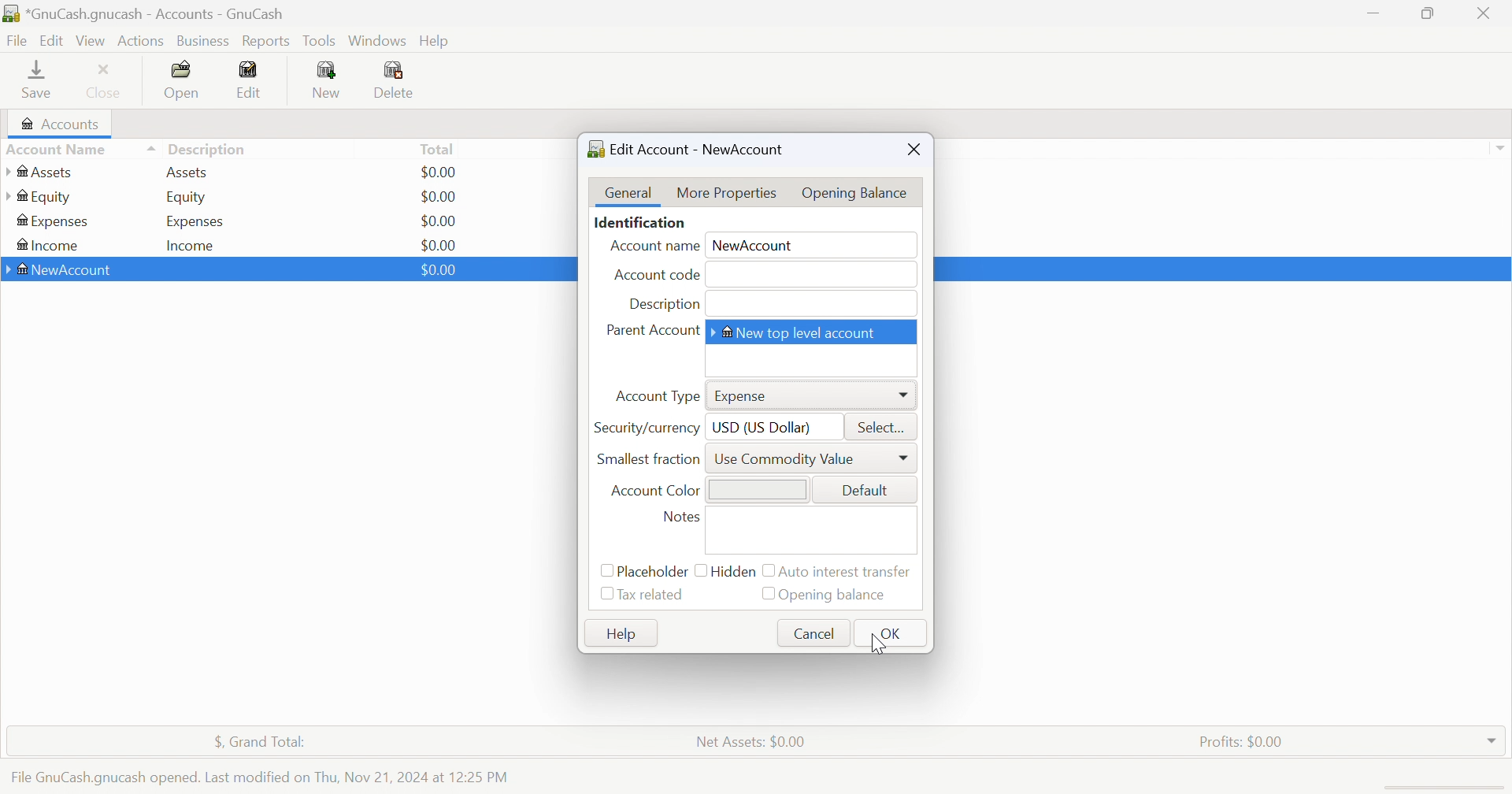  What do you see at coordinates (768, 571) in the screenshot?
I see `checkbox` at bounding box center [768, 571].